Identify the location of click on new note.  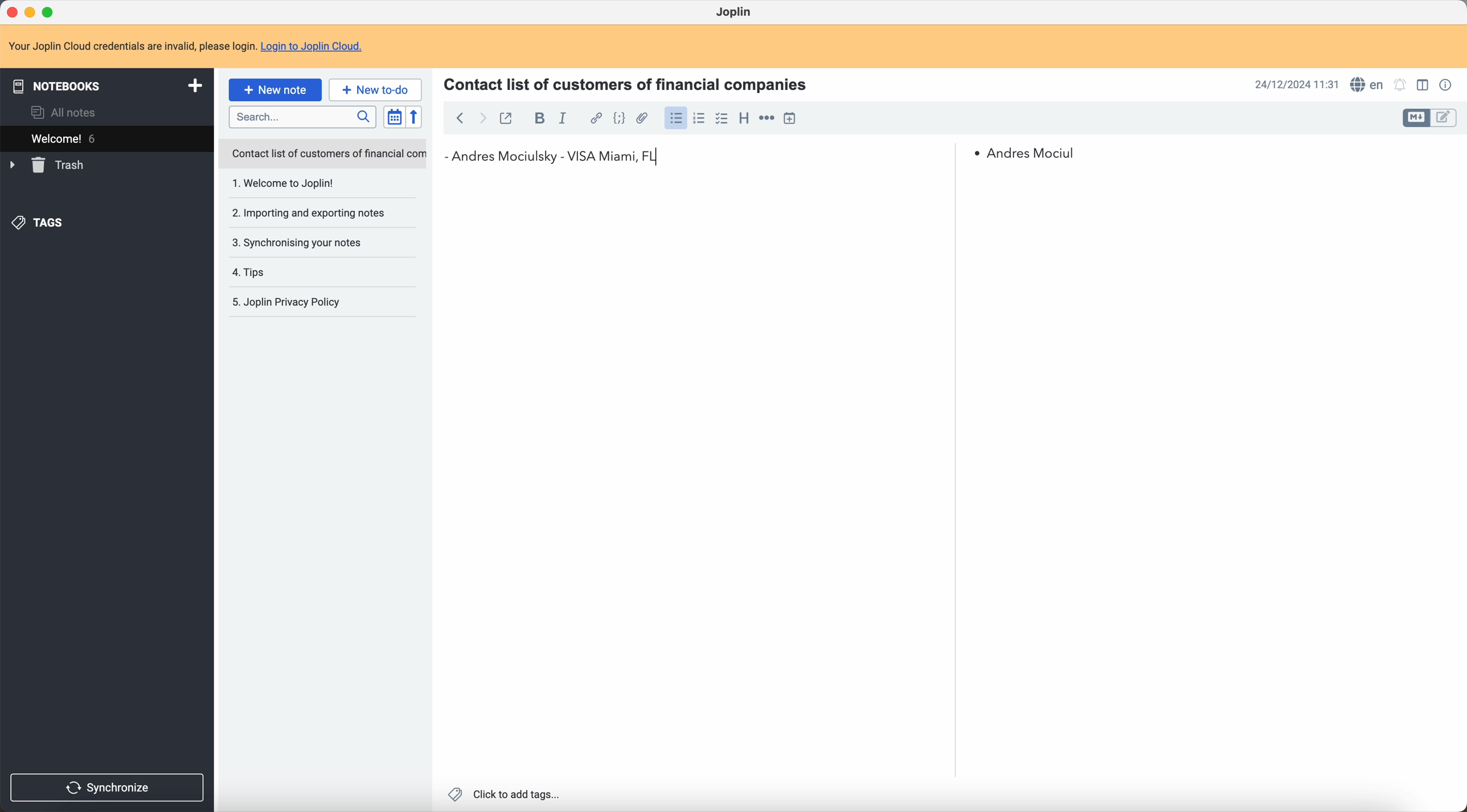
(276, 90).